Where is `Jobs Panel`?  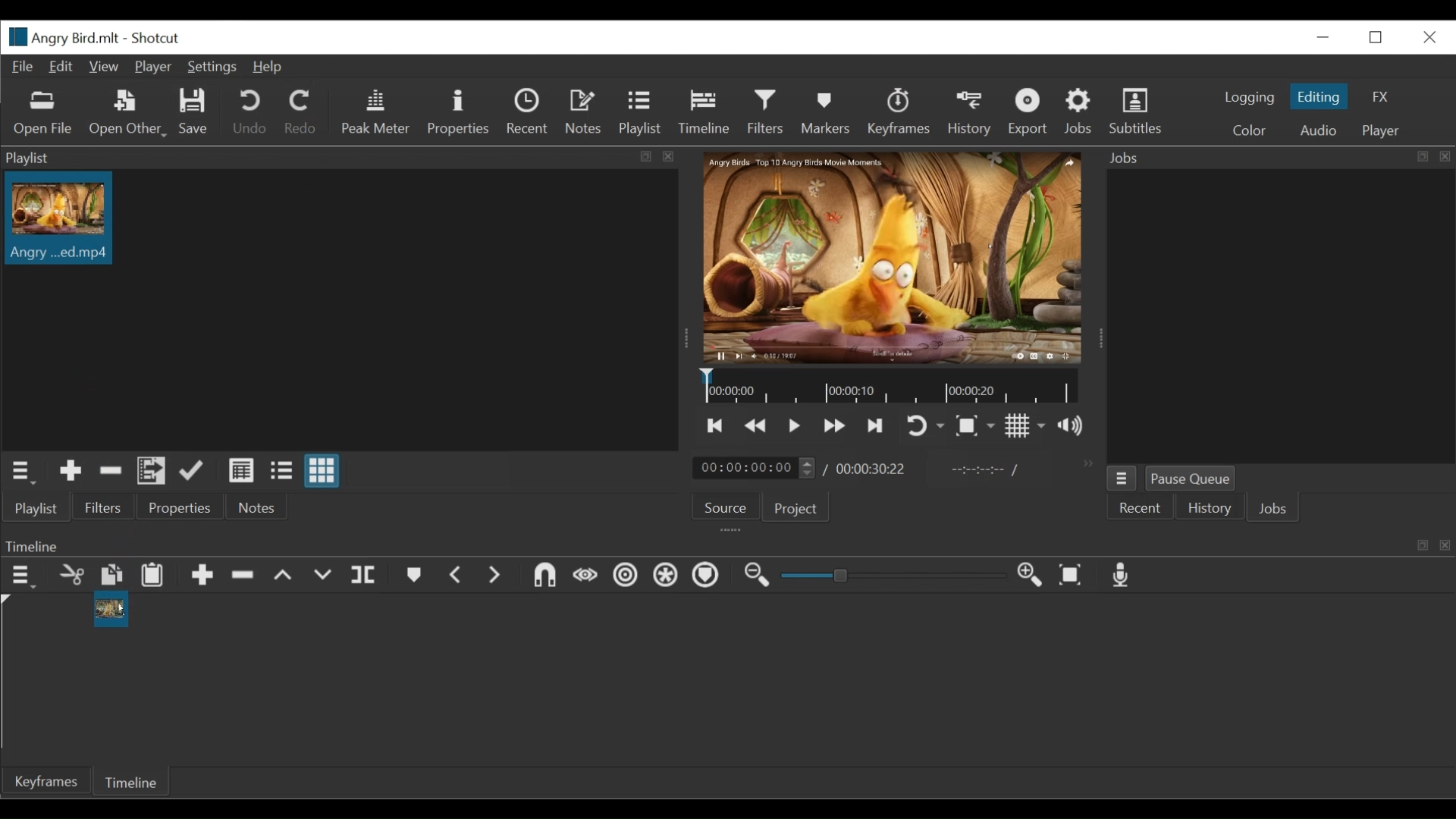
Jobs Panel is located at coordinates (1279, 316).